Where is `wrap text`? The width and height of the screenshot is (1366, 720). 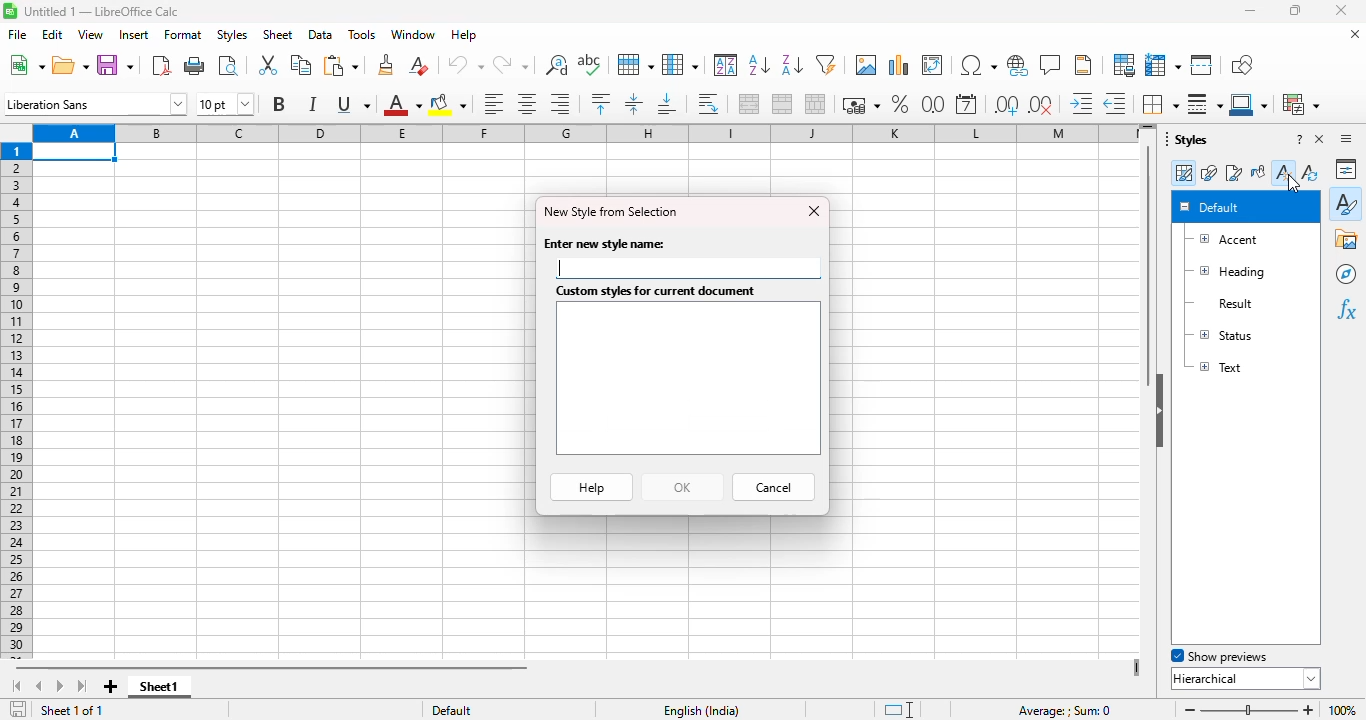
wrap text is located at coordinates (707, 104).